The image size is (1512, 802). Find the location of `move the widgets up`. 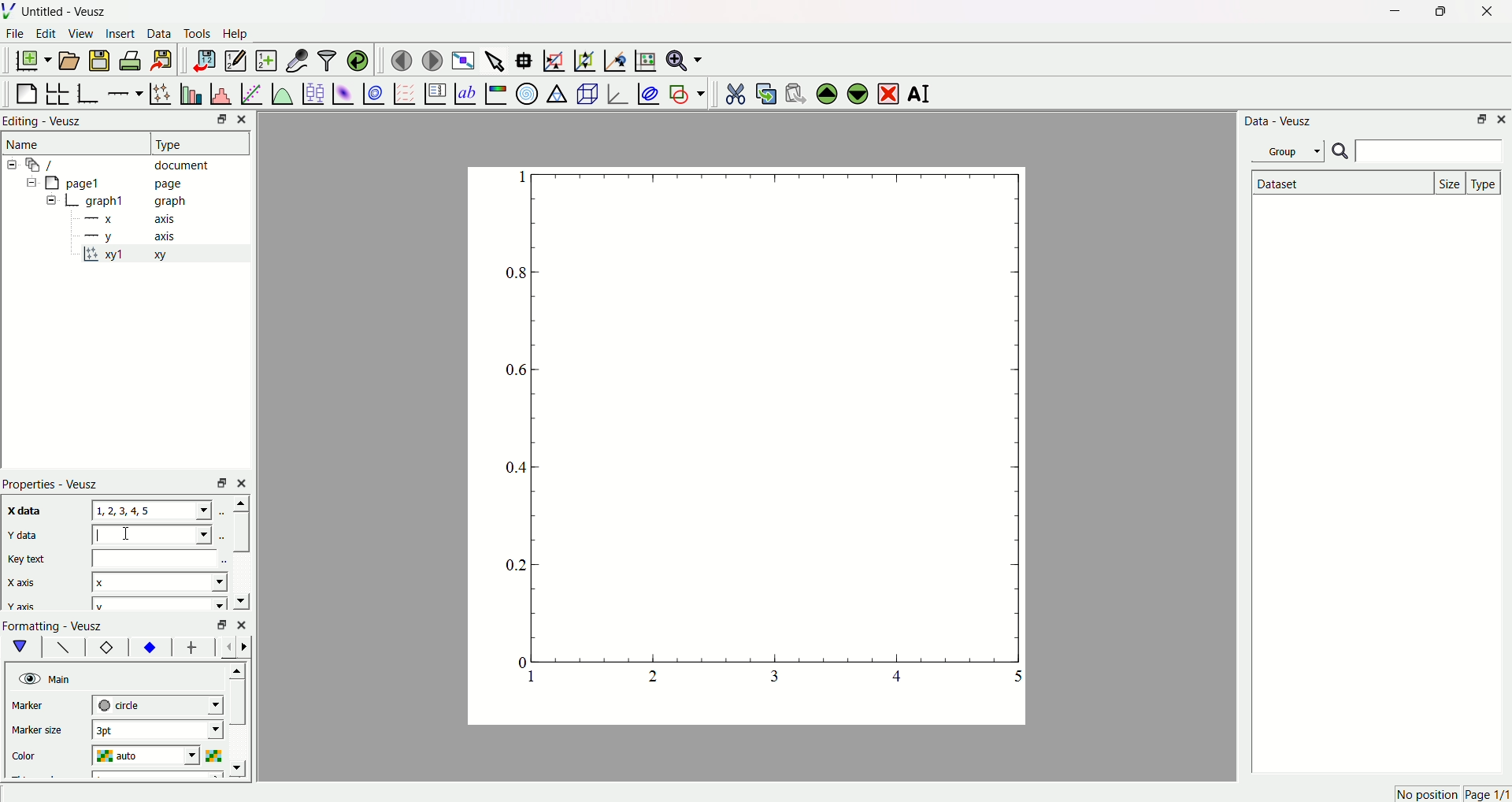

move the widgets up is located at coordinates (827, 92).